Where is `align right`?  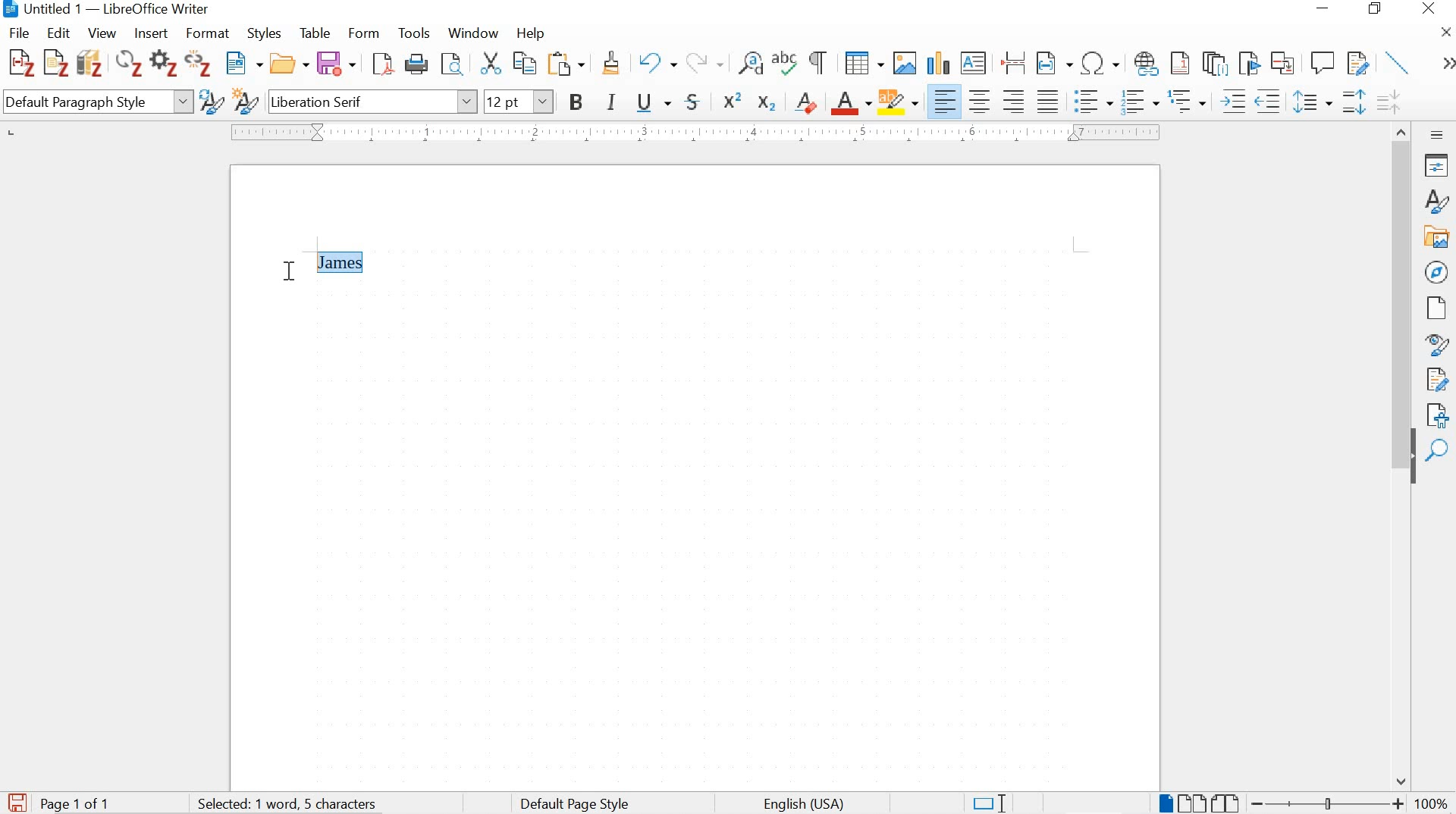
align right is located at coordinates (1016, 101).